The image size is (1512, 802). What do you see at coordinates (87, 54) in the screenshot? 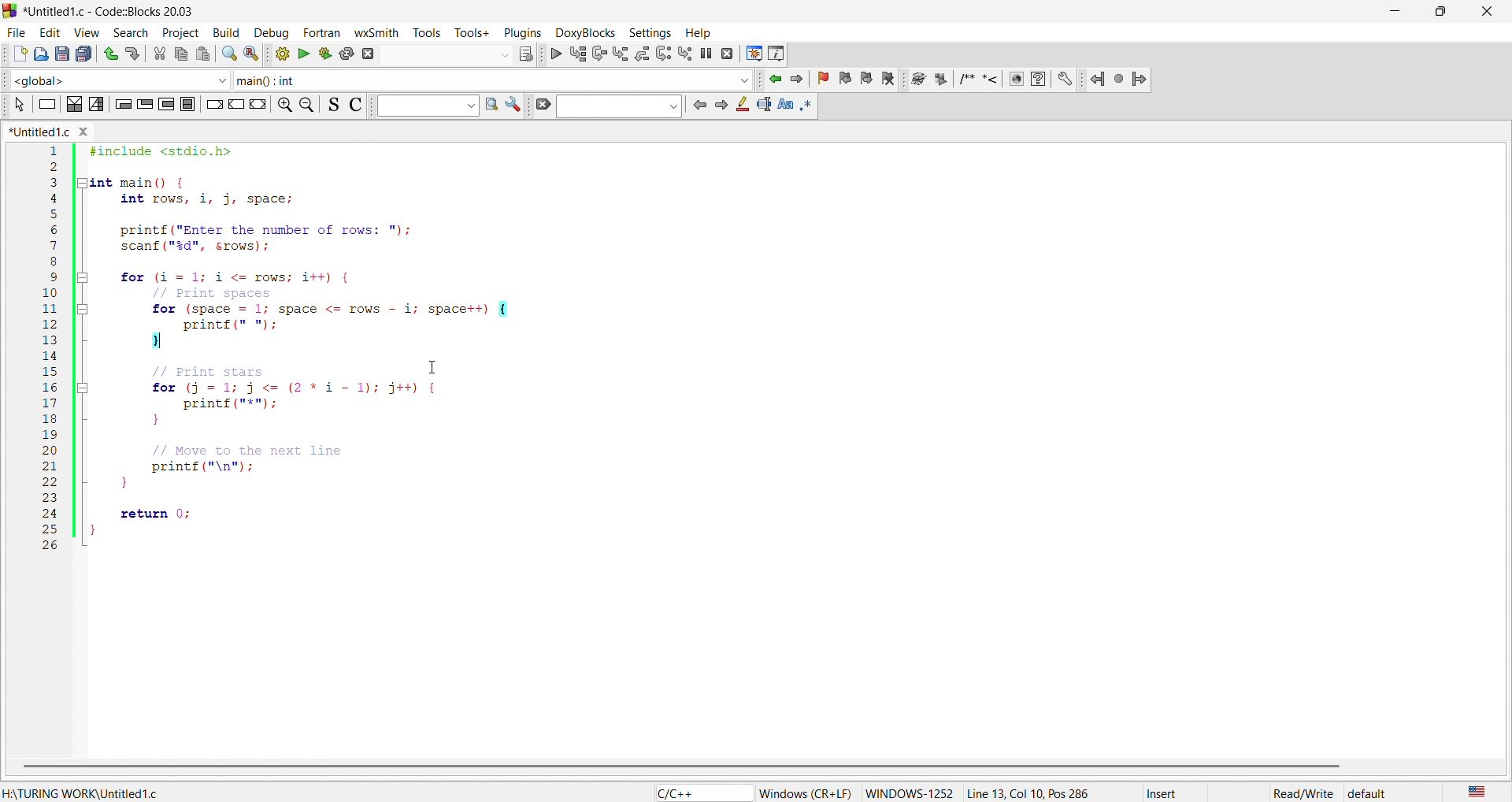
I see `save all` at bounding box center [87, 54].